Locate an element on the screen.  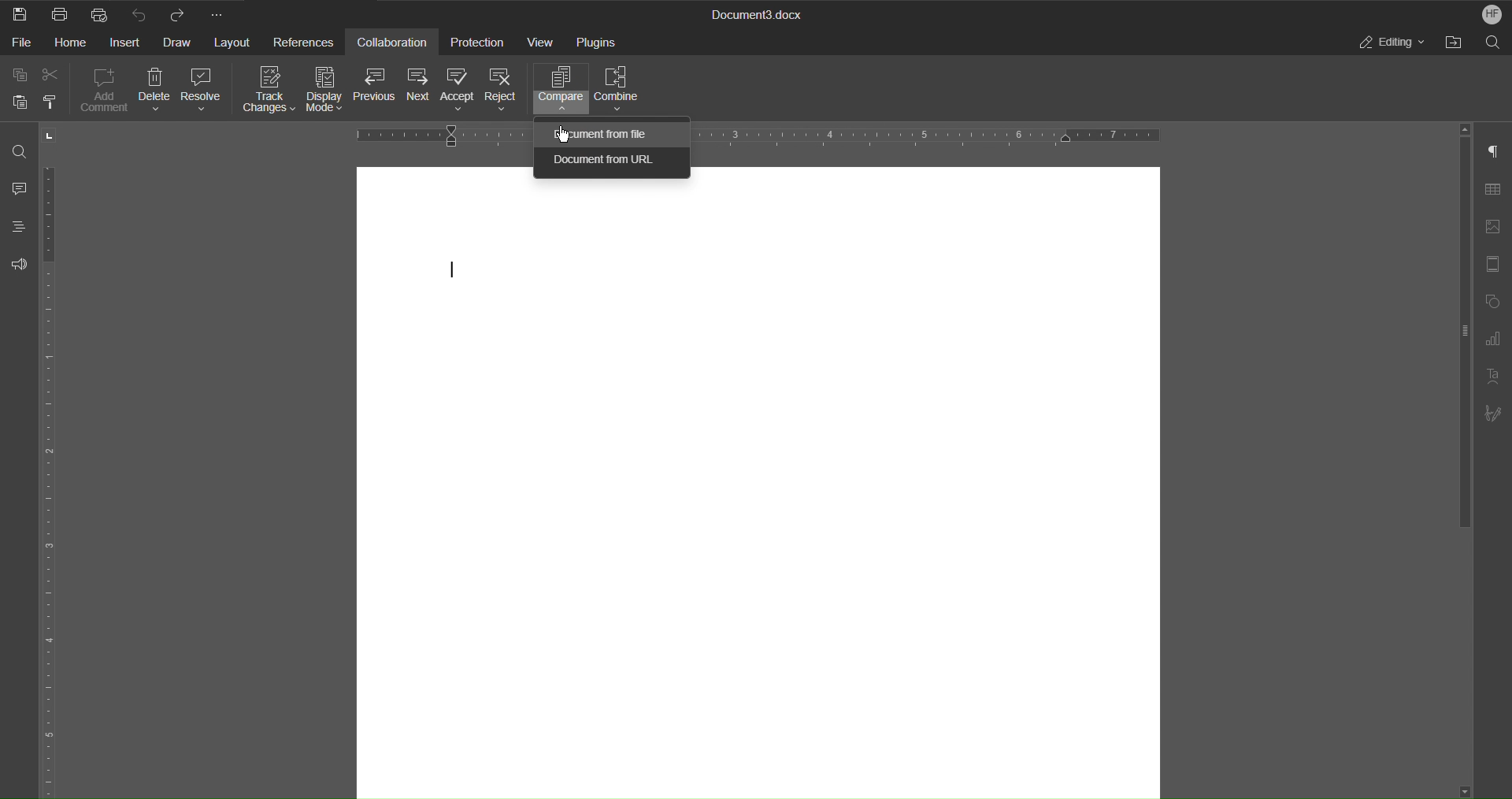
Copy is located at coordinates (21, 75).